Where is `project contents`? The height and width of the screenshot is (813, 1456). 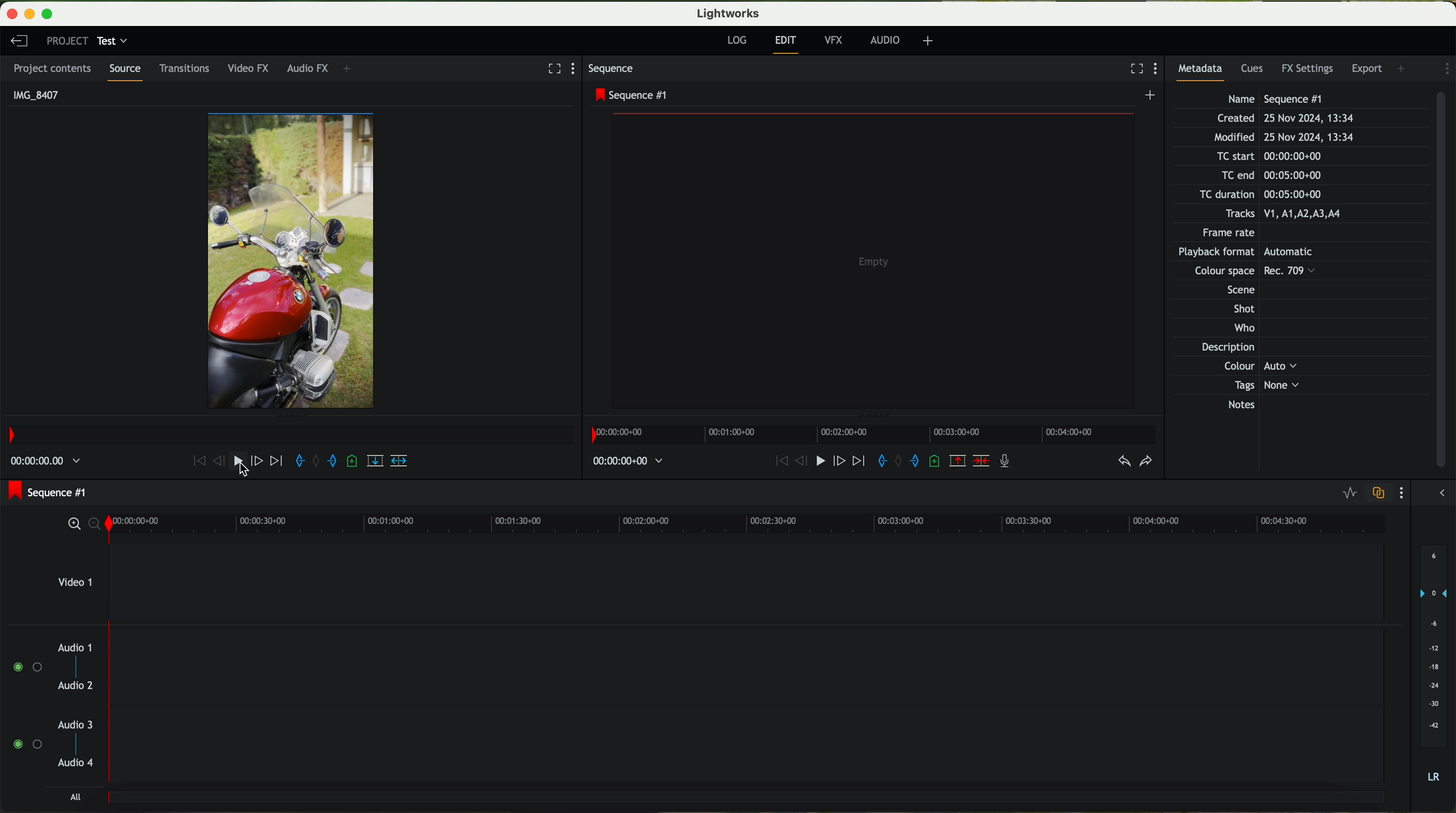 project contents is located at coordinates (54, 68).